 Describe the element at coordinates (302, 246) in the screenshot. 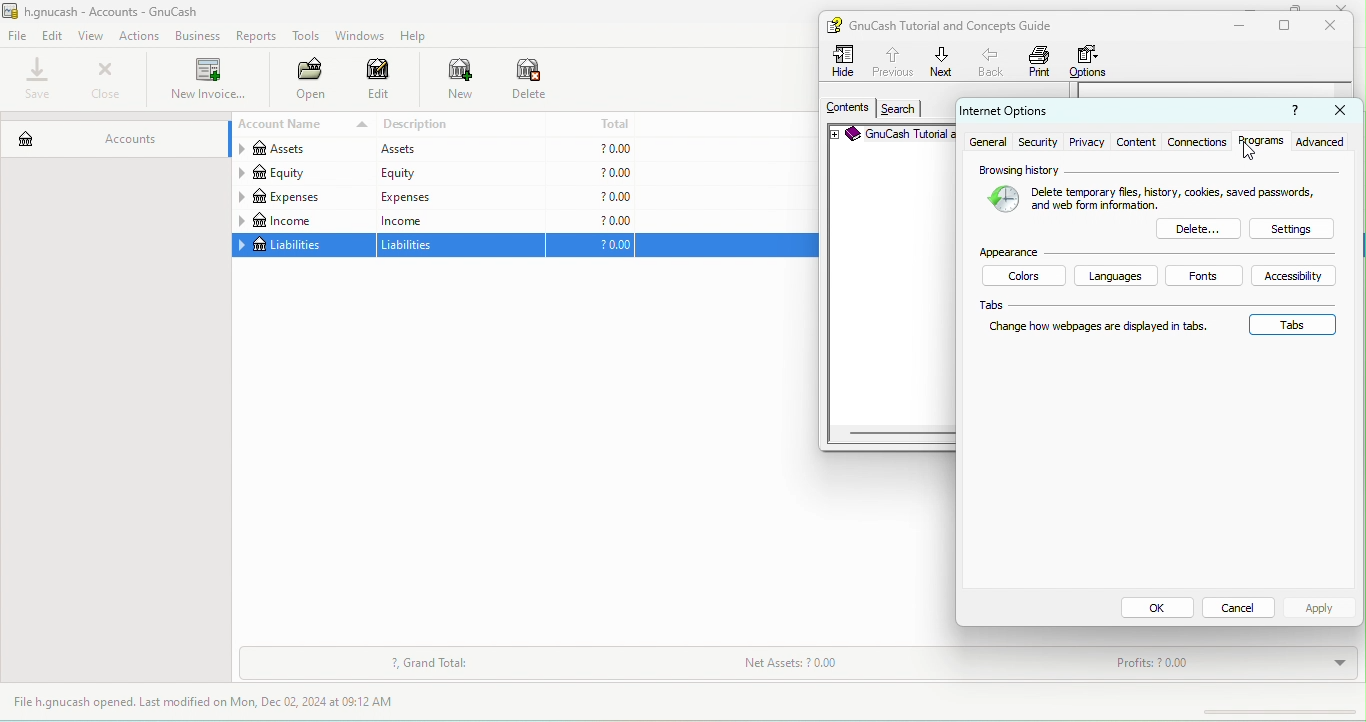

I see `liabilities` at that location.